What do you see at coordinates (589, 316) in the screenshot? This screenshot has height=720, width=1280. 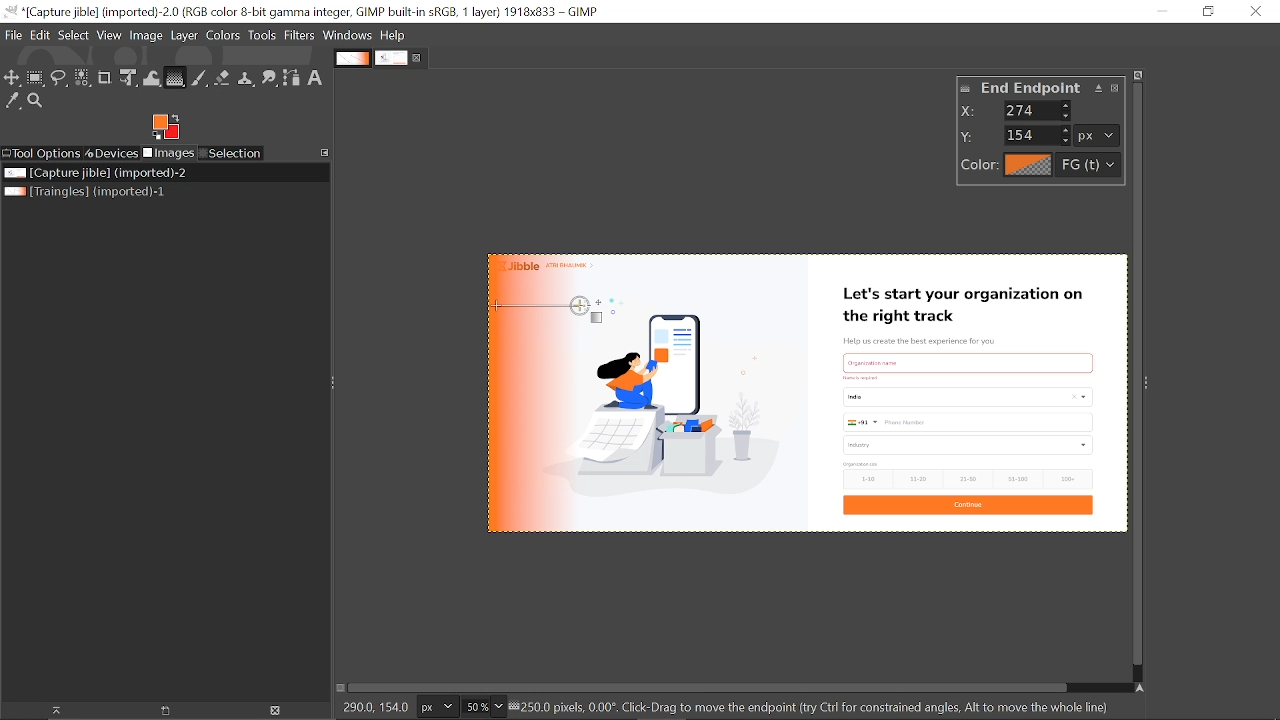 I see `Cursor` at bounding box center [589, 316].